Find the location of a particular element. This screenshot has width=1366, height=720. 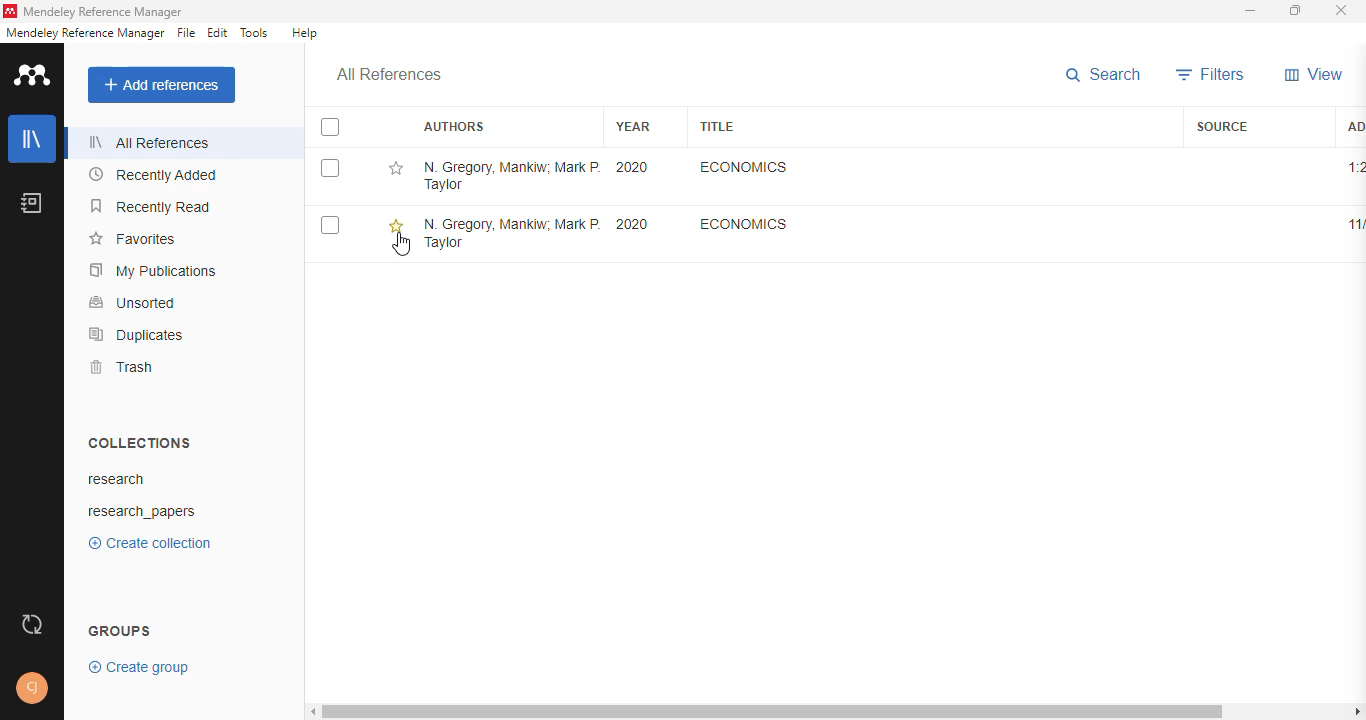

select is located at coordinates (330, 168).